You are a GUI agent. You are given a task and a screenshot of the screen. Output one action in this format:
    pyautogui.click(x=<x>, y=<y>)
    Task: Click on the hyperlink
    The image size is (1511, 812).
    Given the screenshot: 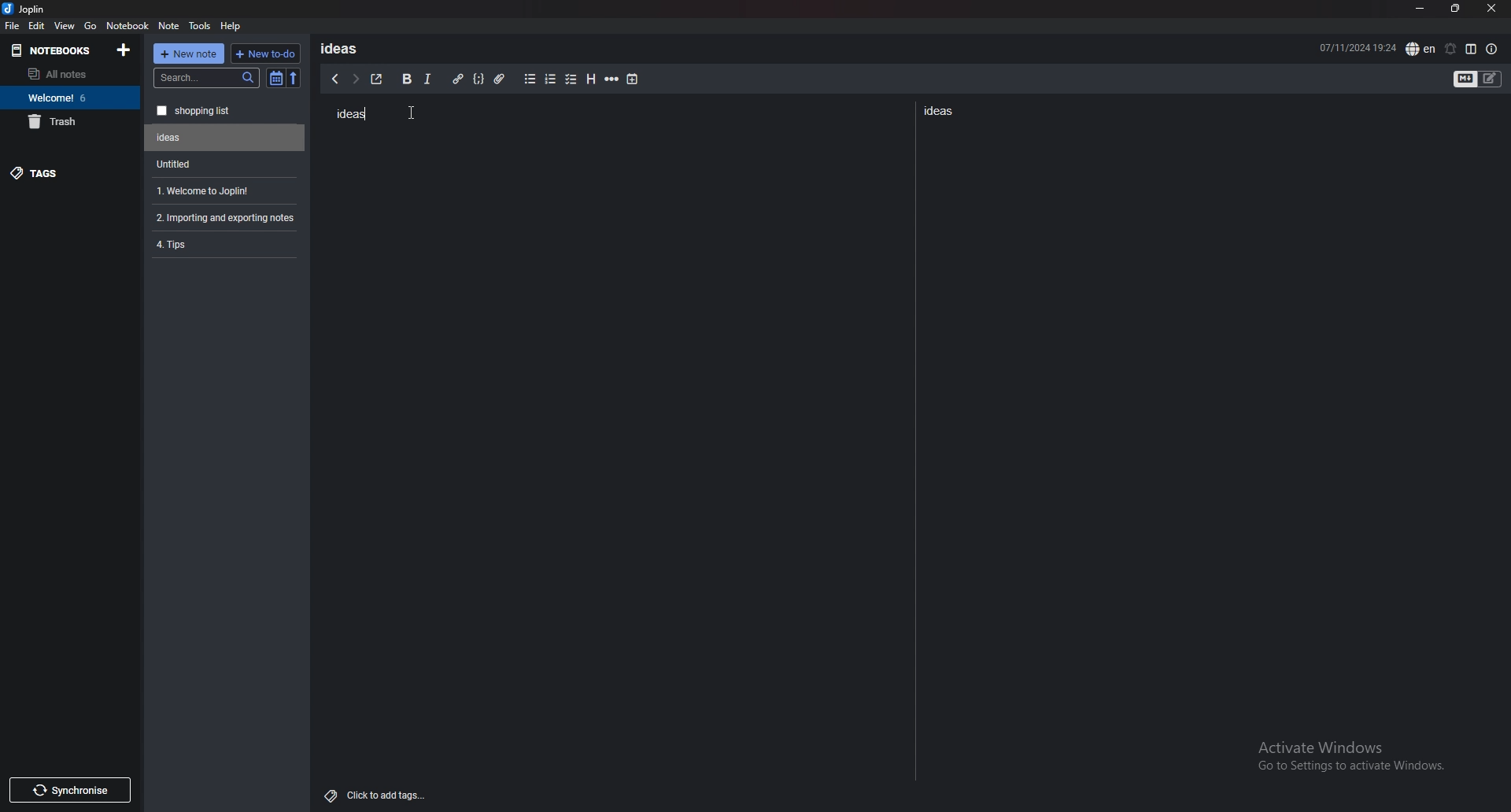 What is the action you would take?
    pyautogui.click(x=457, y=79)
    